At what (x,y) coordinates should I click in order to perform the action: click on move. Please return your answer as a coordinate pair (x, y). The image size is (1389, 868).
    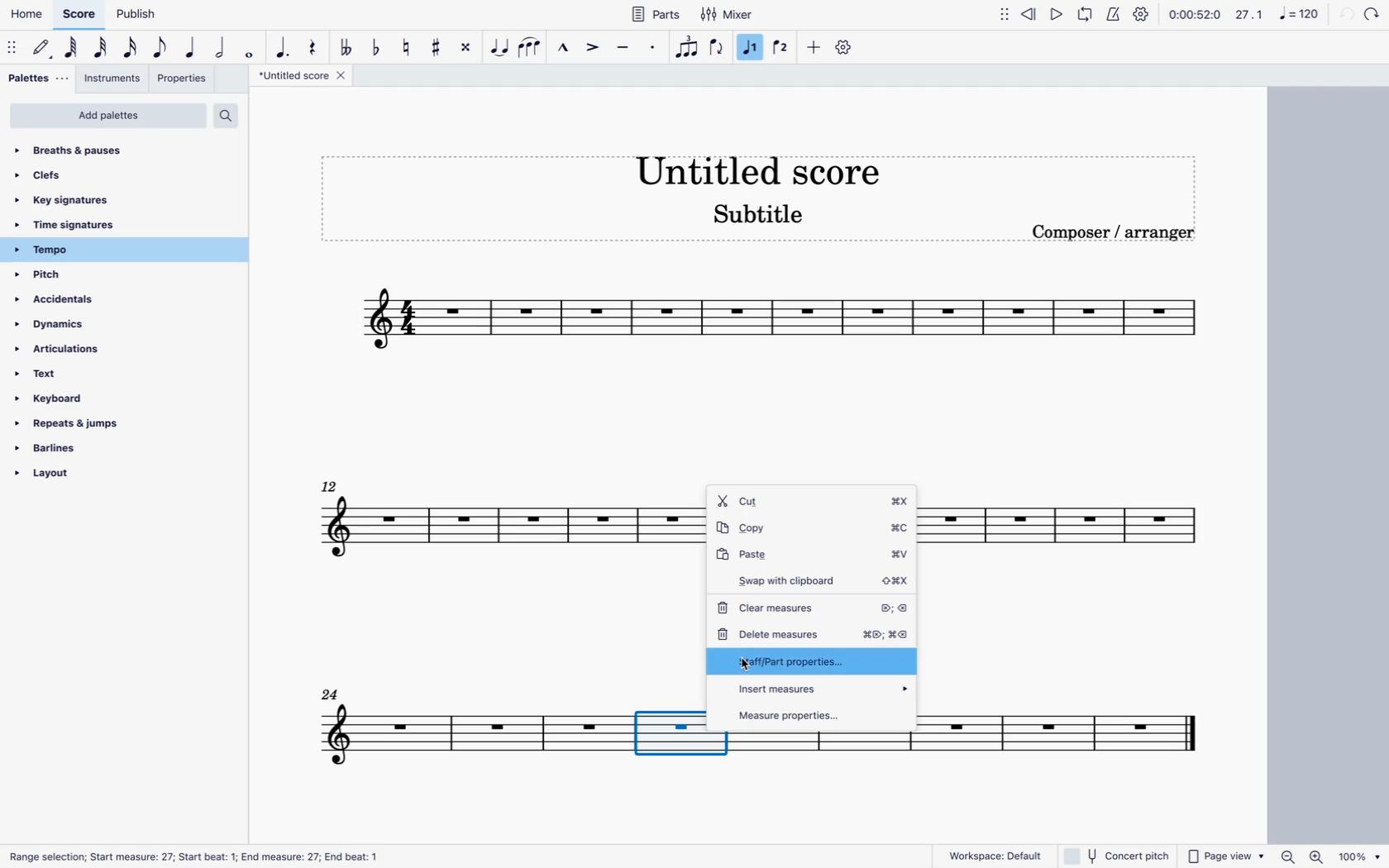
    Looking at the image, I should click on (1000, 13).